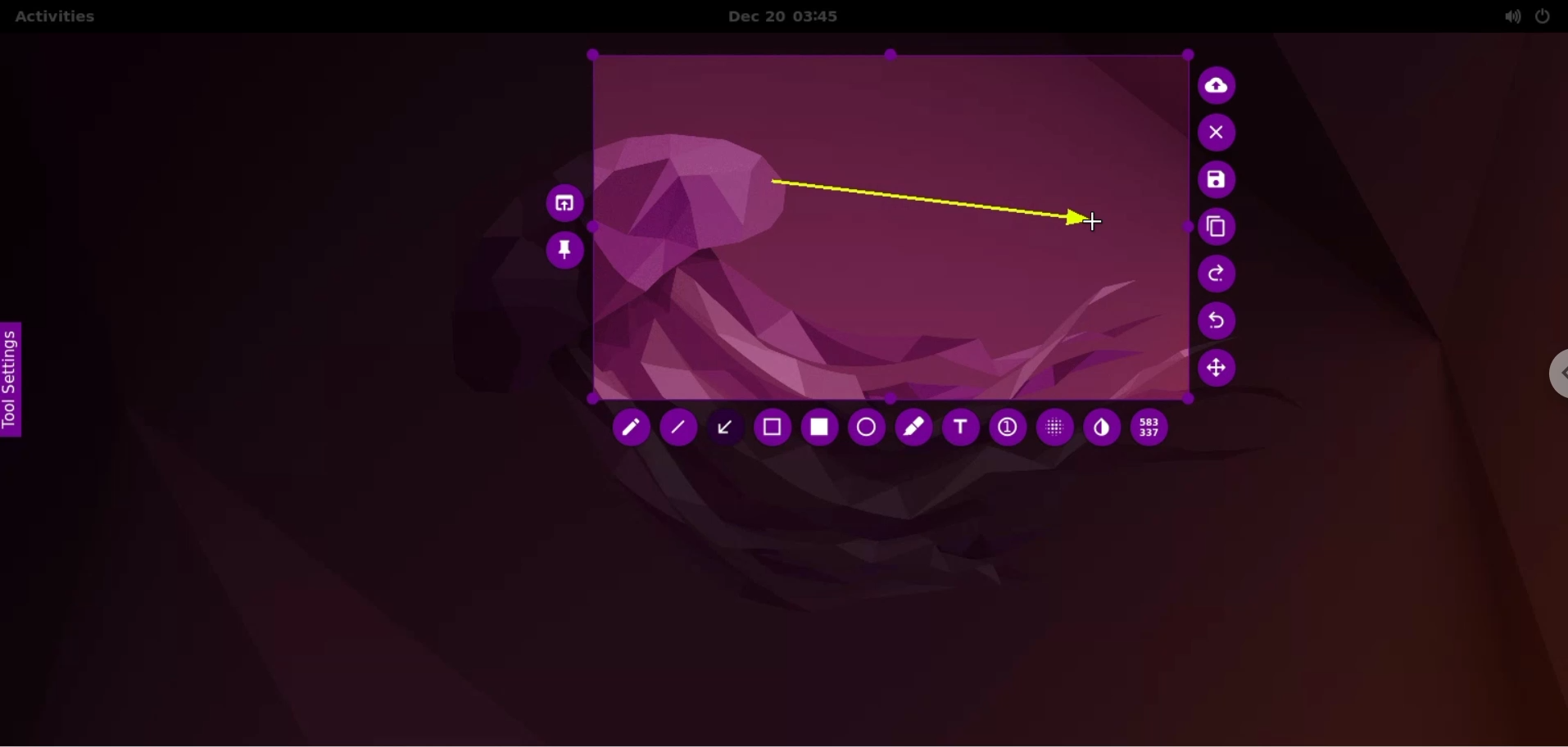  I want to click on cursor, so click(1107, 225).